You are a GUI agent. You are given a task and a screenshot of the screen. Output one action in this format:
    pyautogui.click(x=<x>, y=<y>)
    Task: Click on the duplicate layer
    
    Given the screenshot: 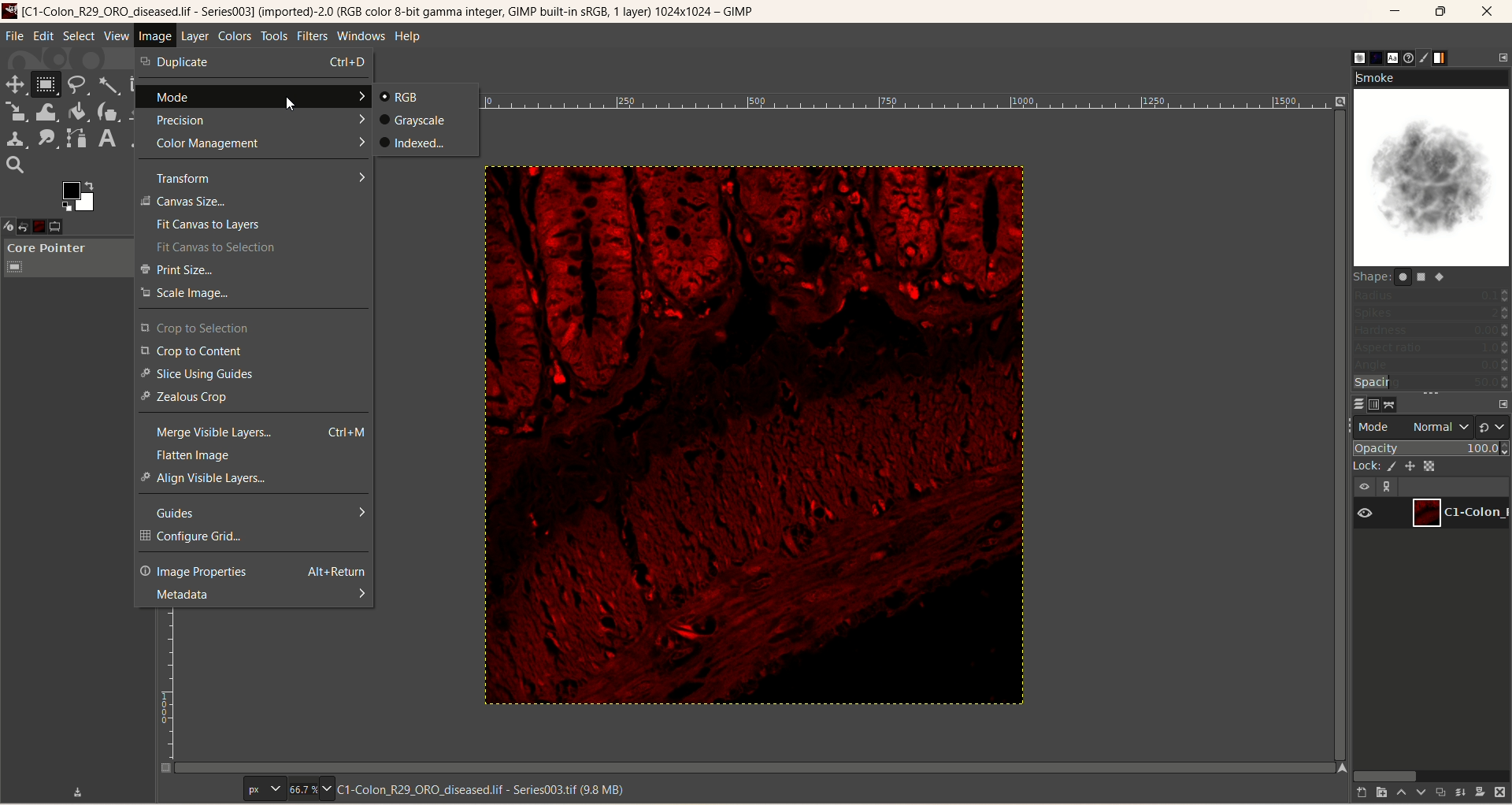 What is the action you would take?
    pyautogui.click(x=1440, y=795)
    